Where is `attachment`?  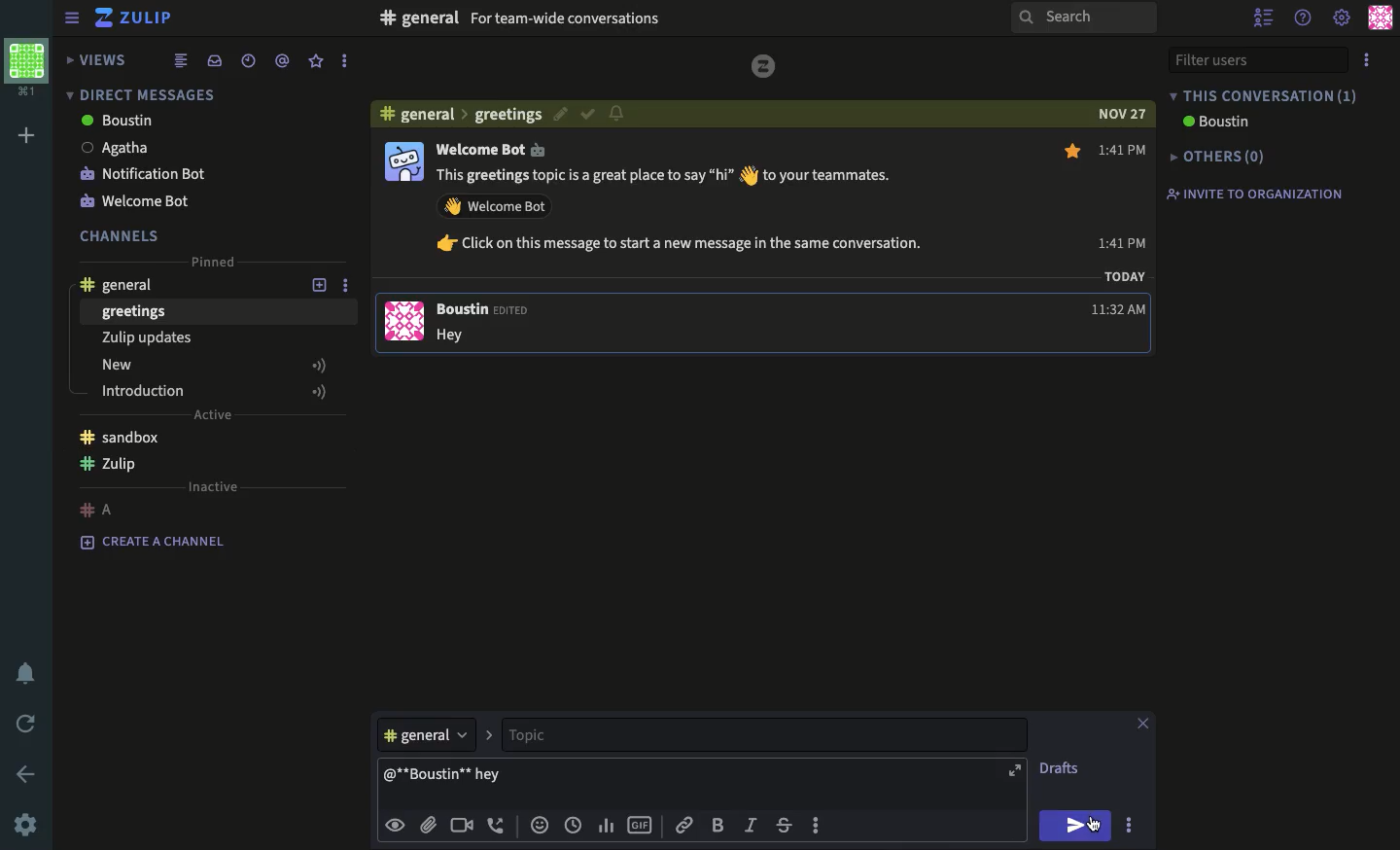
attachment is located at coordinates (429, 826).